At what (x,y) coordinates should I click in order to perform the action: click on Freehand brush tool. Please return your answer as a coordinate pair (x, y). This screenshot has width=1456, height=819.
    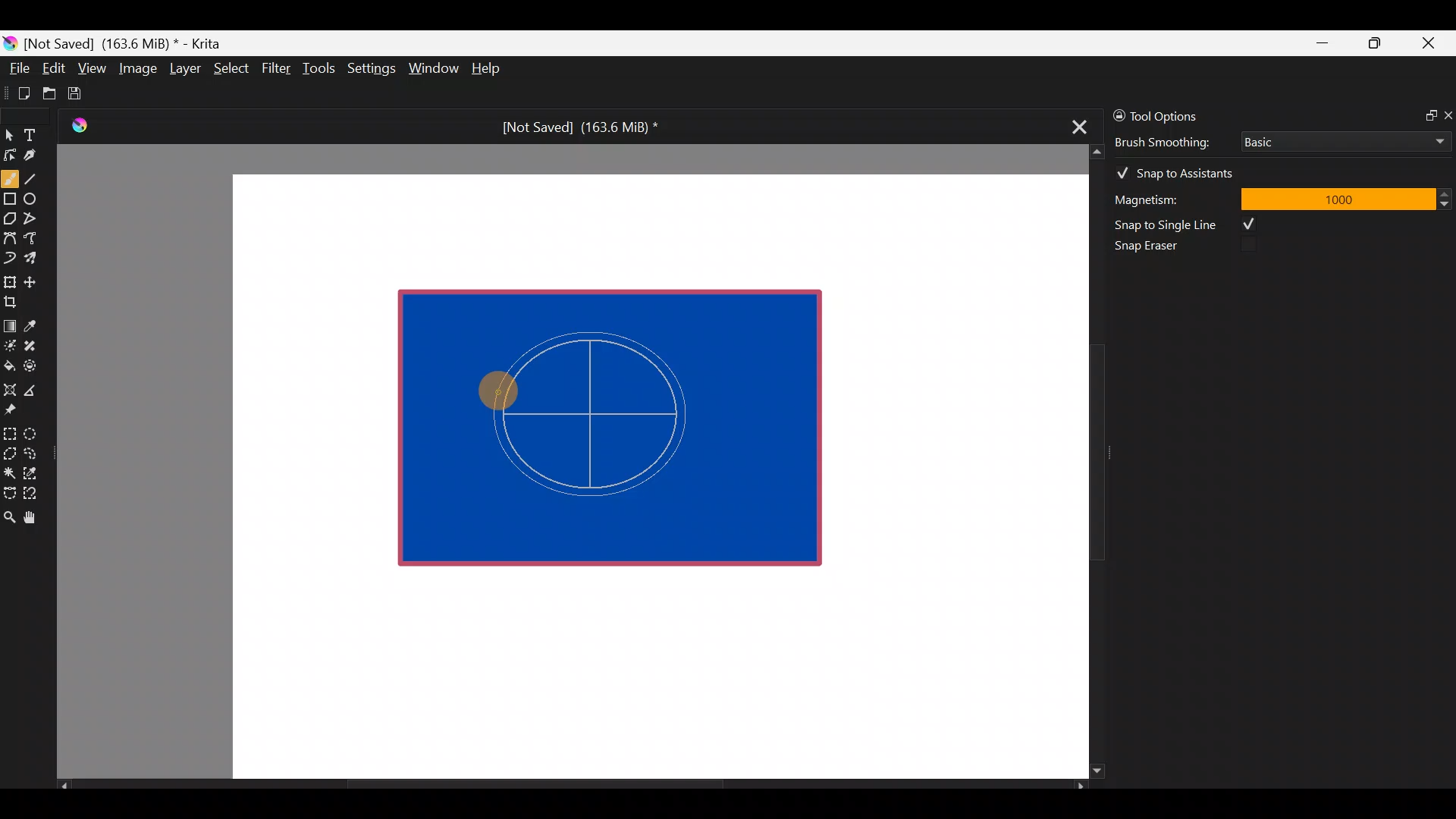
    Looking at the image, I should click on (10, 173).